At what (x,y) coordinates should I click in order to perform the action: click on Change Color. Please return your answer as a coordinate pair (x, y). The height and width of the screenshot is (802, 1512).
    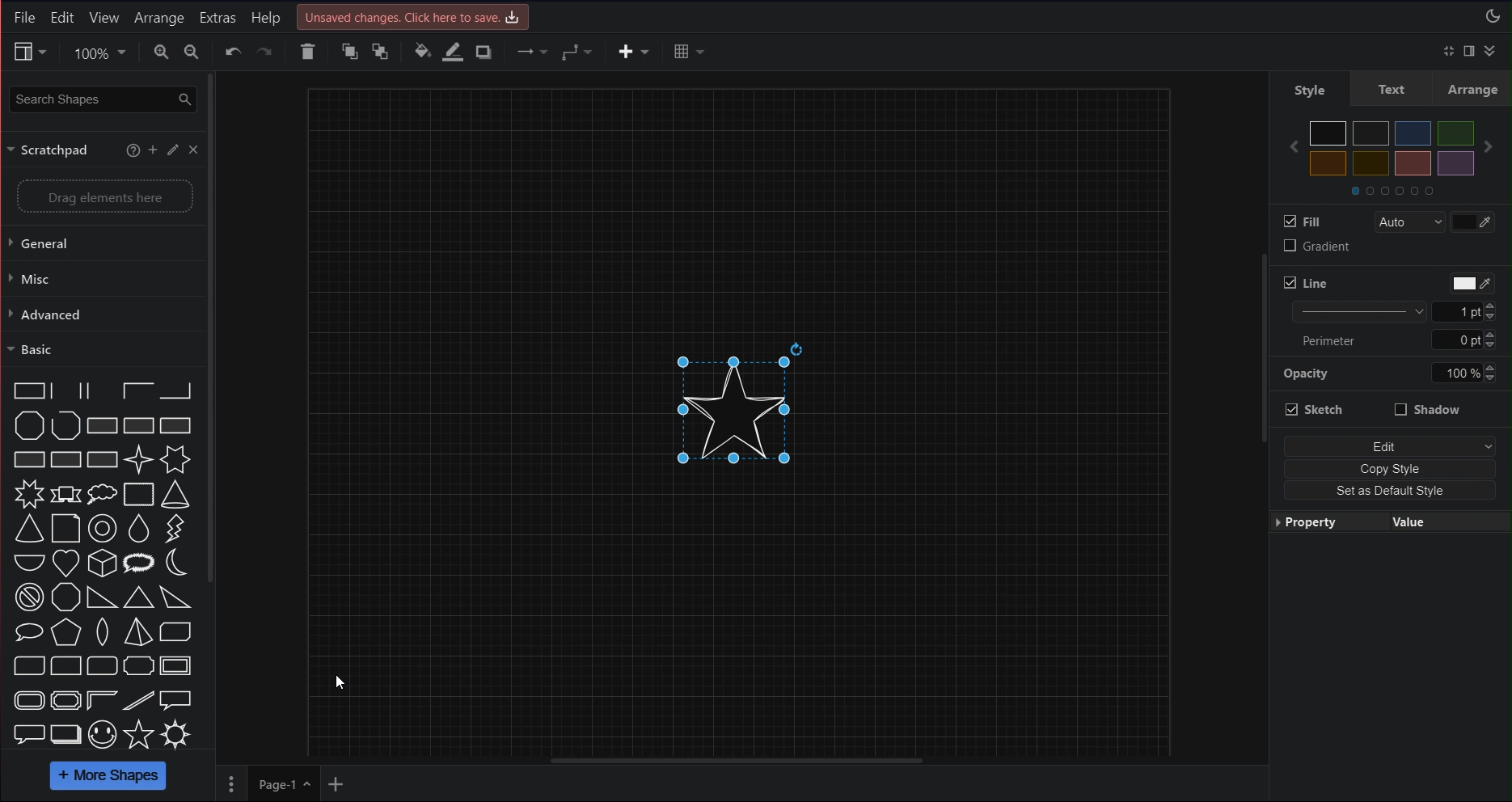
    Looking at the image, I should click on (1473, 283).